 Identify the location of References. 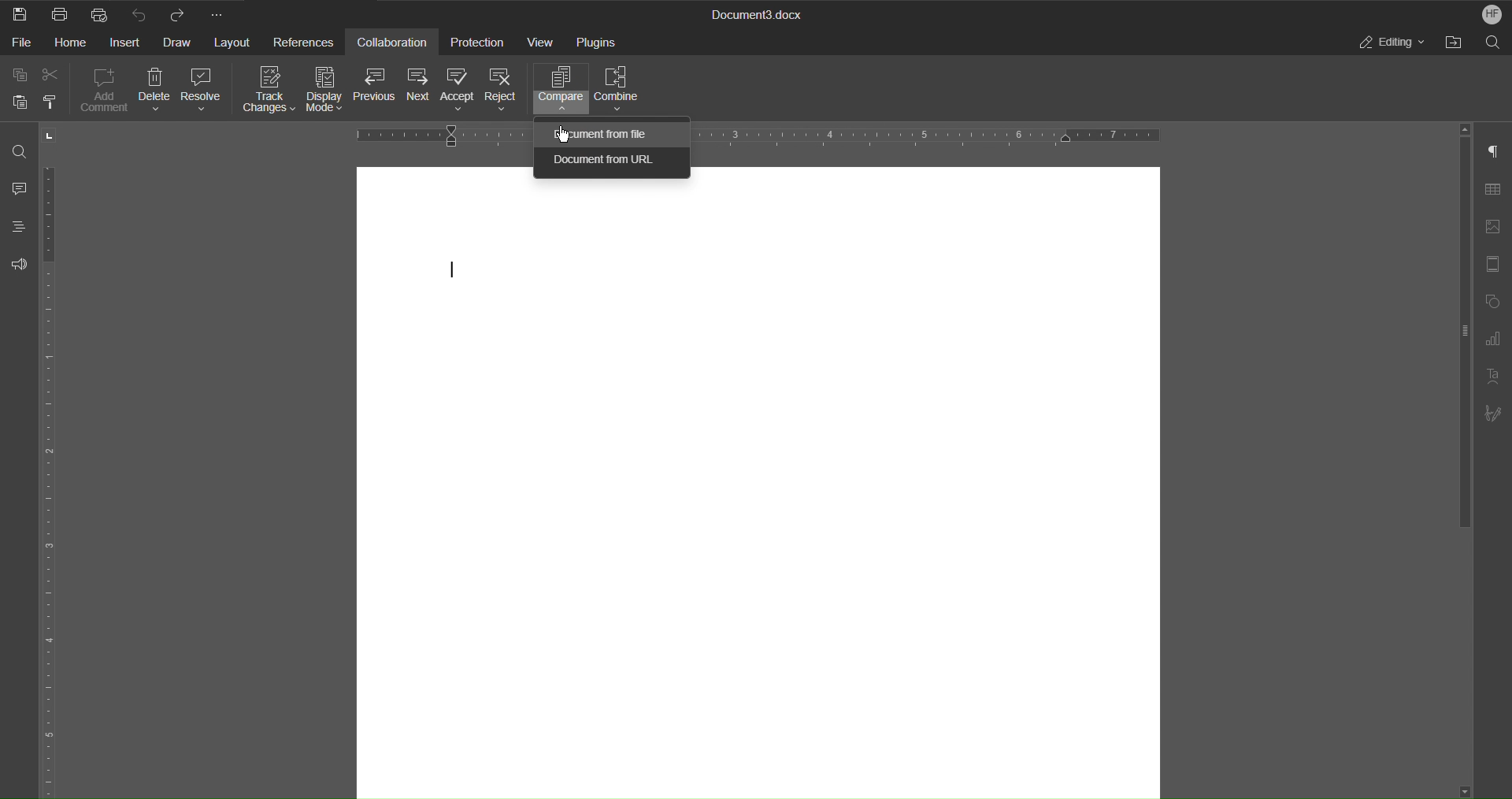
(306, 42).